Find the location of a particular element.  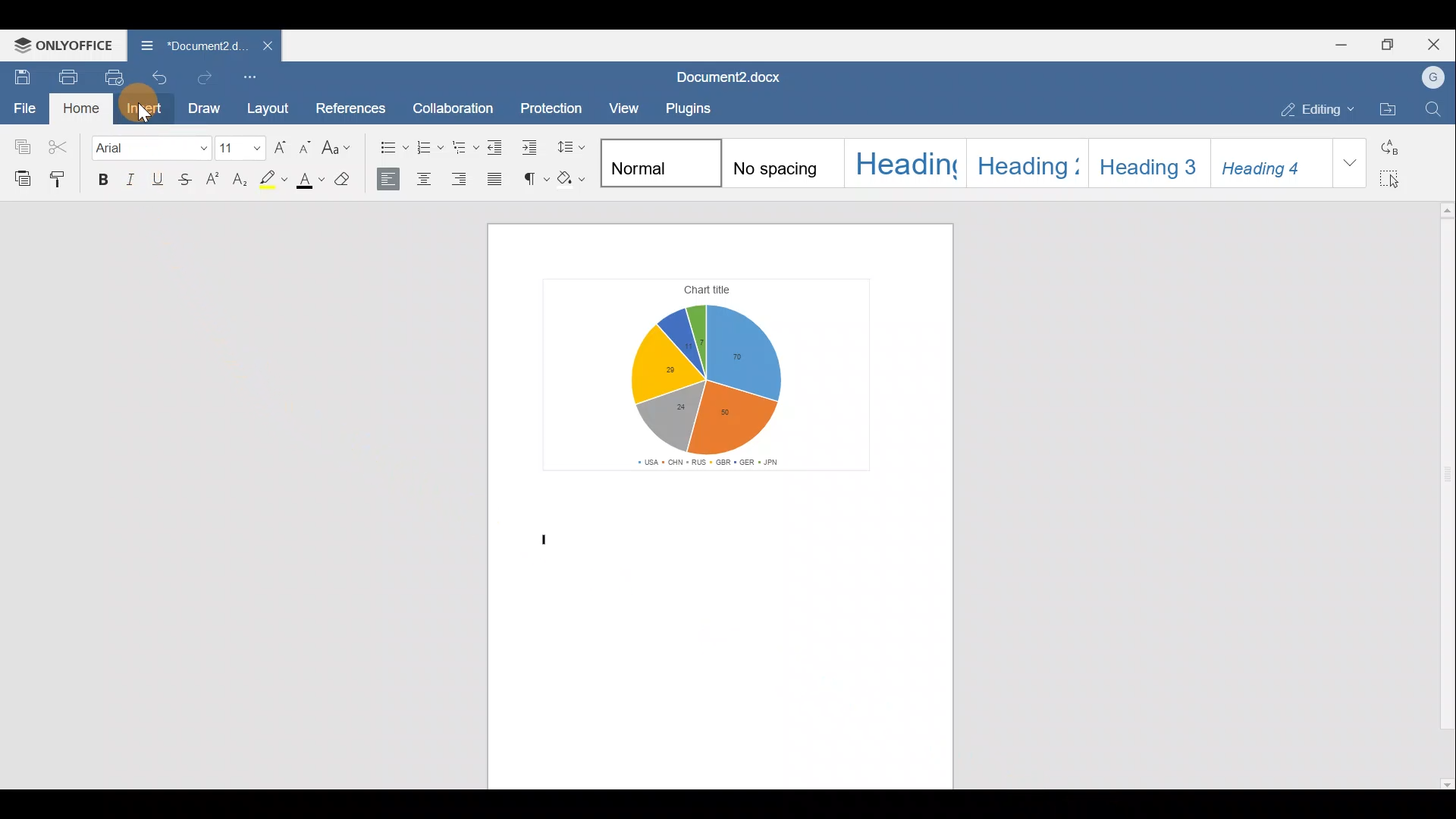

Find is located at coordinates (1435, 111).